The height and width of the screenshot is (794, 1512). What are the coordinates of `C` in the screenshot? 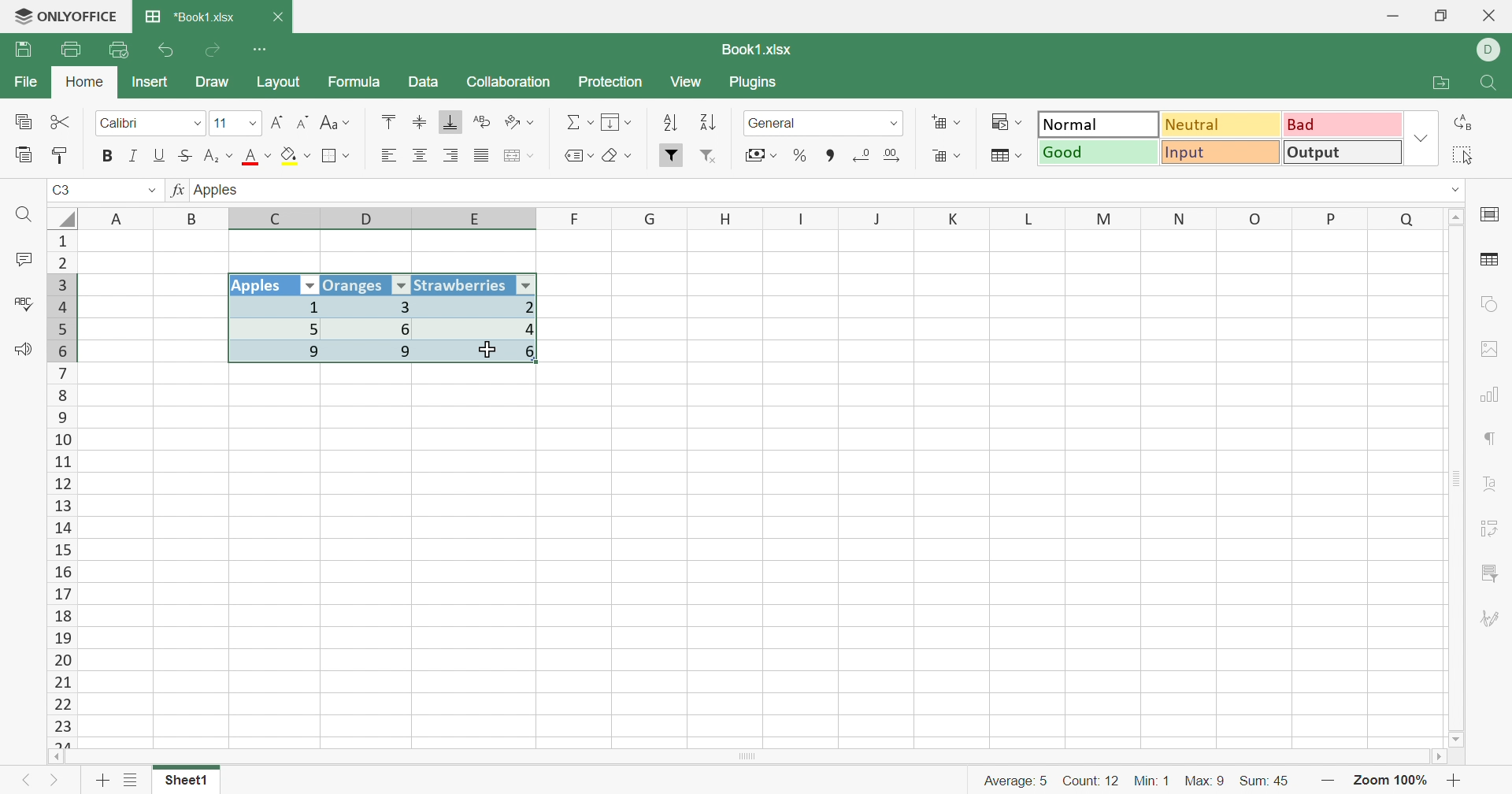 It's located at (278, 220).